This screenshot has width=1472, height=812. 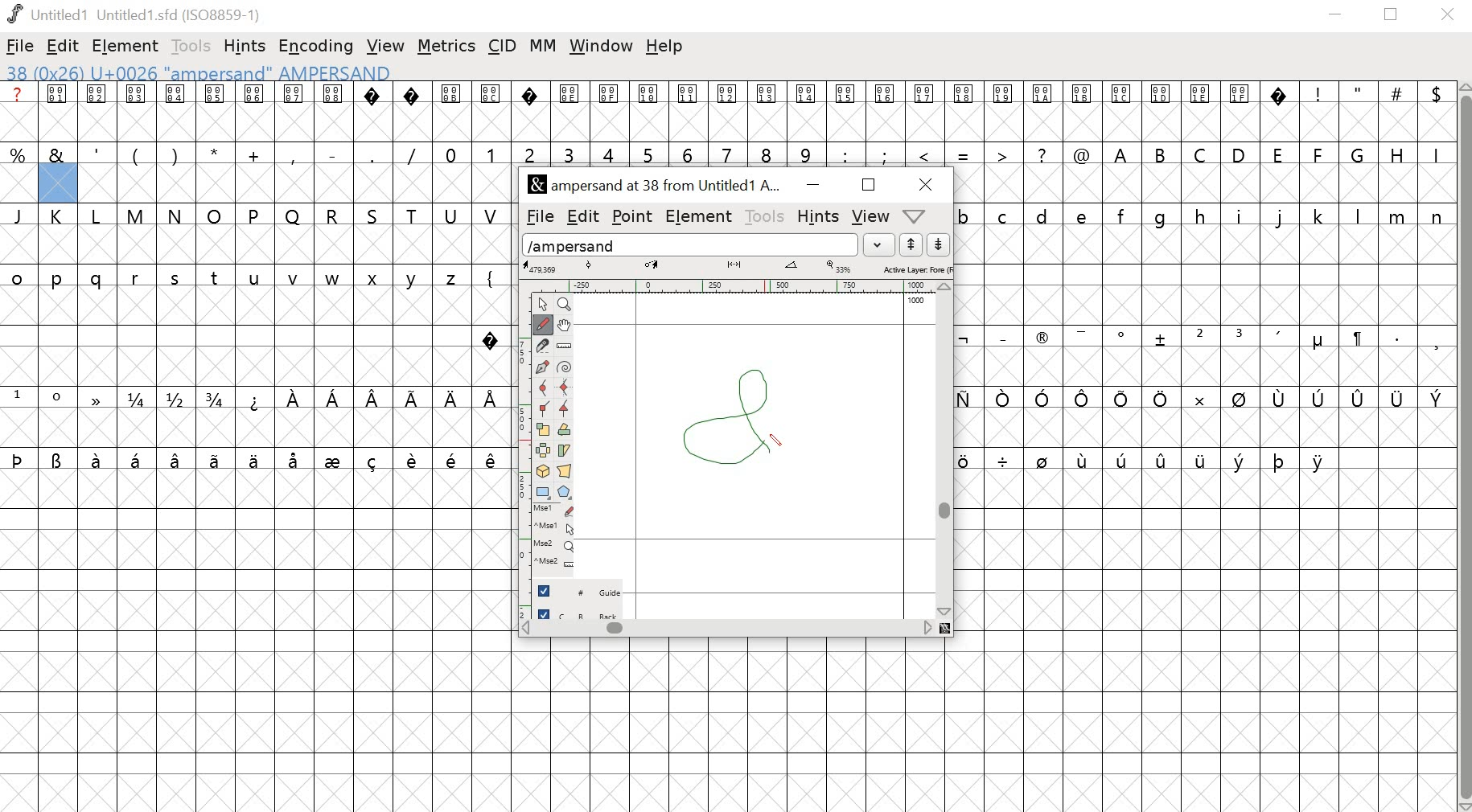 I want to click on 001D, so click(x=1162, y=112).